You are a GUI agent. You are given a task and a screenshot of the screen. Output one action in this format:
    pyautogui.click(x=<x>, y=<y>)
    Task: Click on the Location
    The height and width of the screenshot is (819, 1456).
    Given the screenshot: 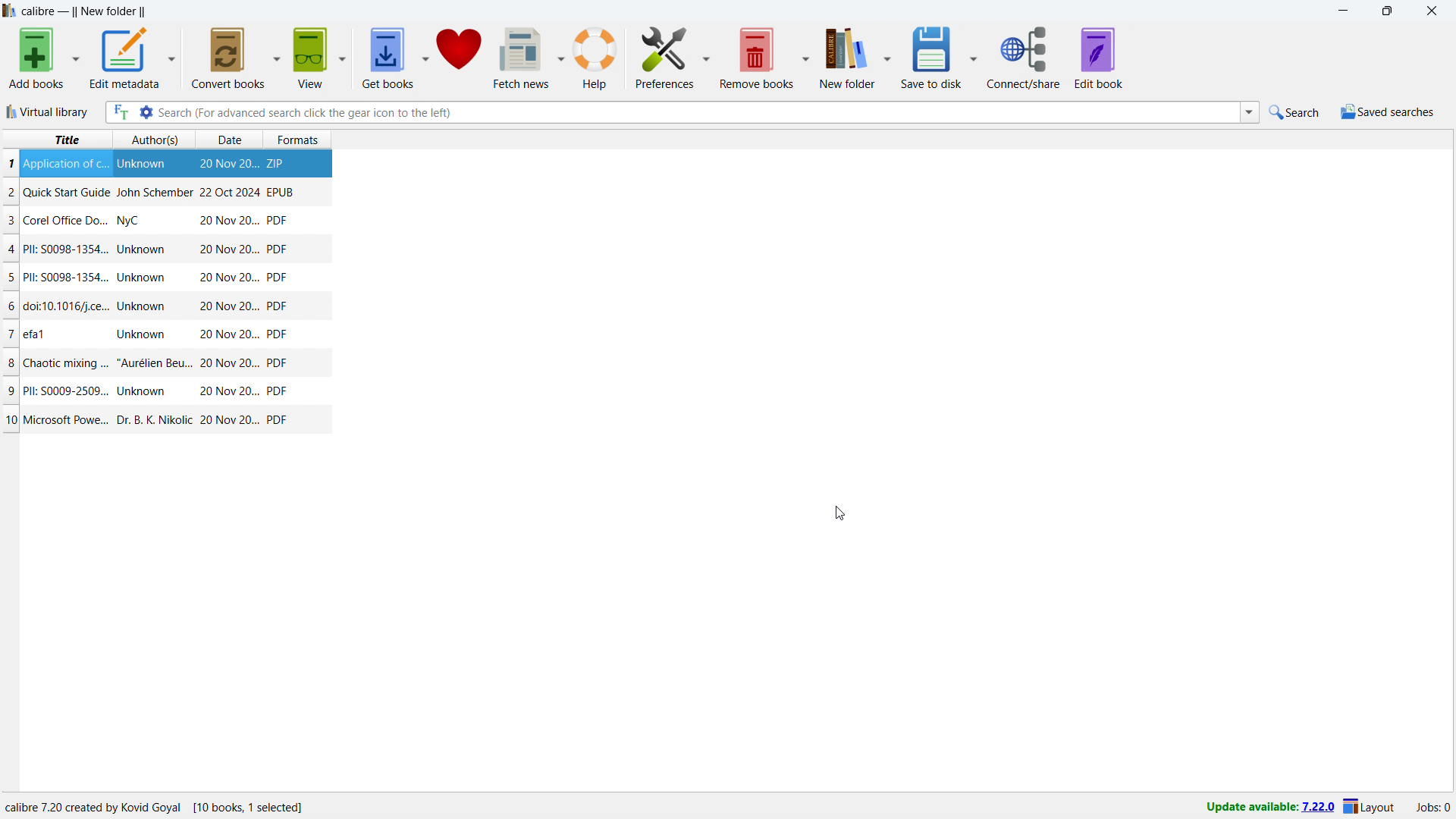 What is the action you would take?
    pyautogui.click(x=168, y=808)
    